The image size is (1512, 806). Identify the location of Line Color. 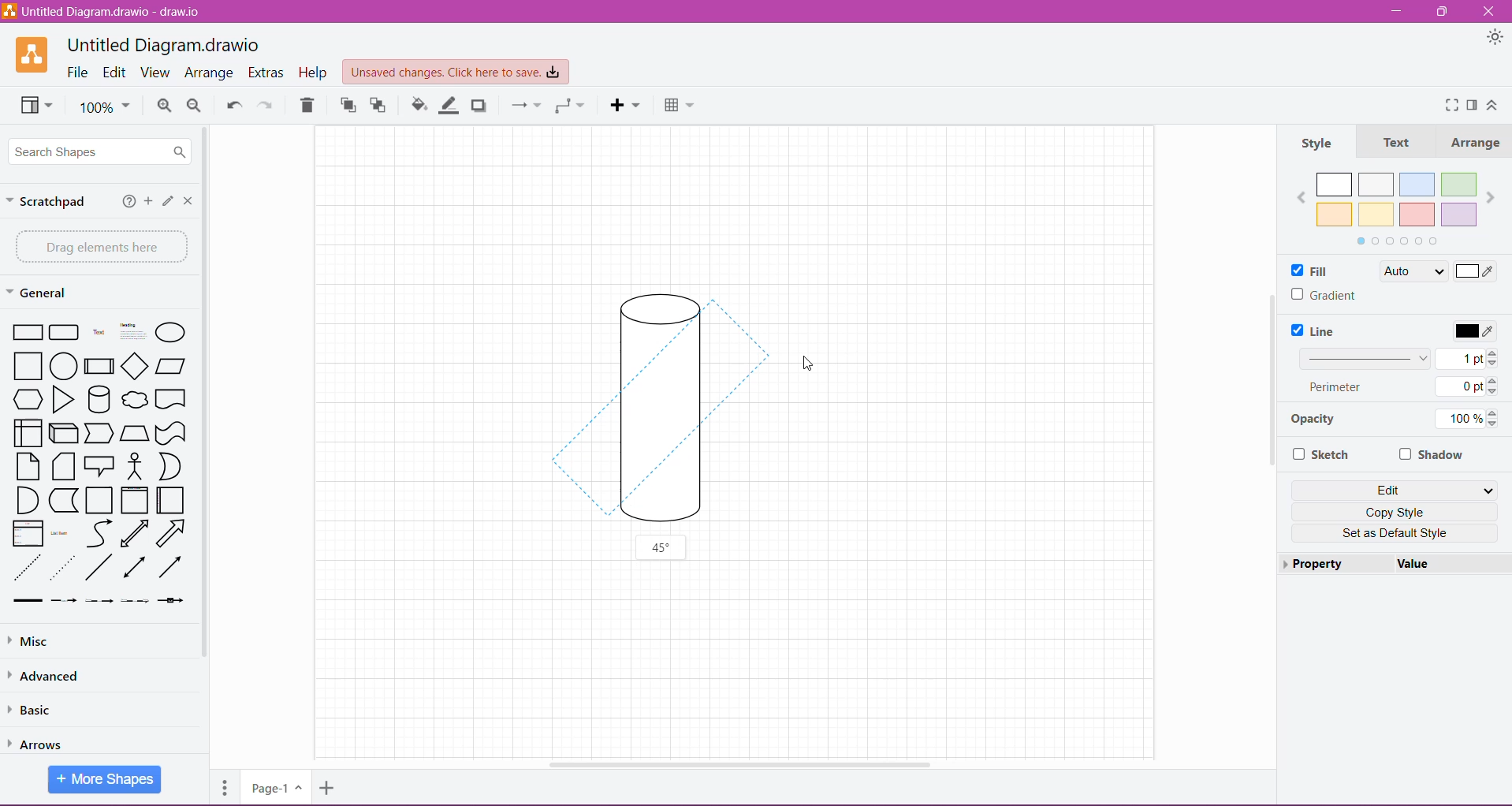
(449, 106).